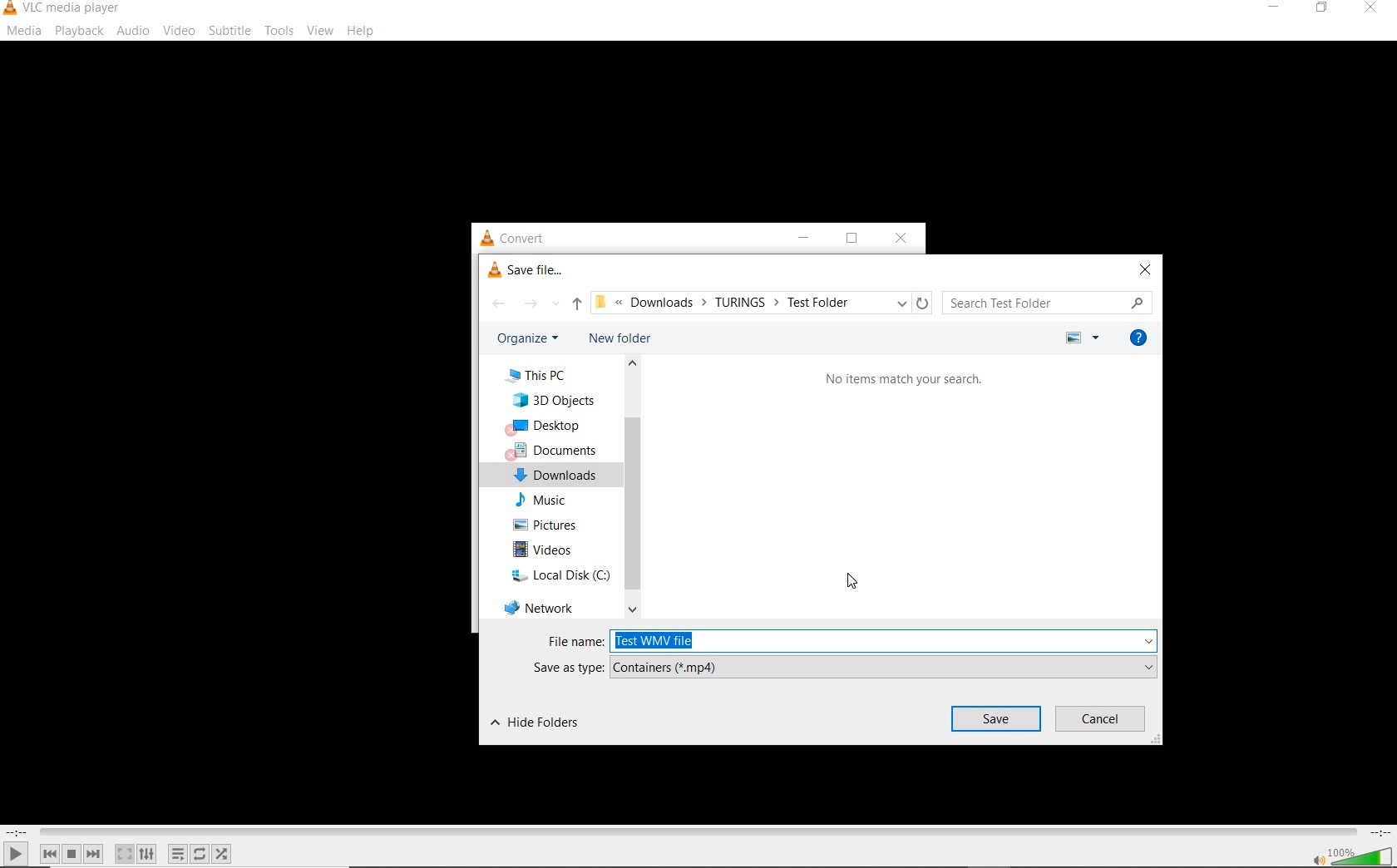 Image resolution: width=1397 pixels, height=868 pixels. Describe the element at coordinates (526, 269) in the screenshot. I see `save file` at that location.